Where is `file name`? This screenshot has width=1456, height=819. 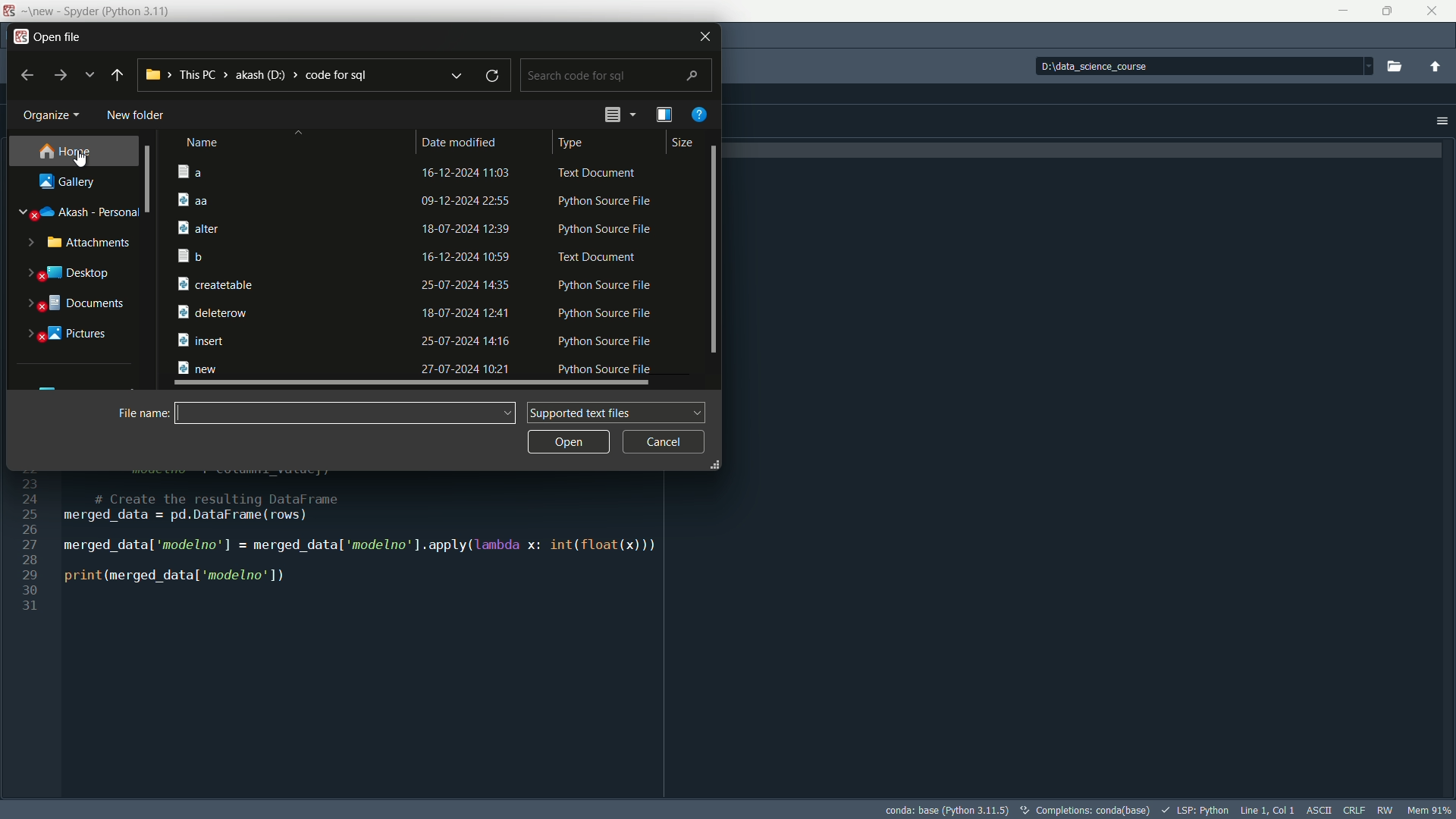
file name is located at coordinates (284, 366).